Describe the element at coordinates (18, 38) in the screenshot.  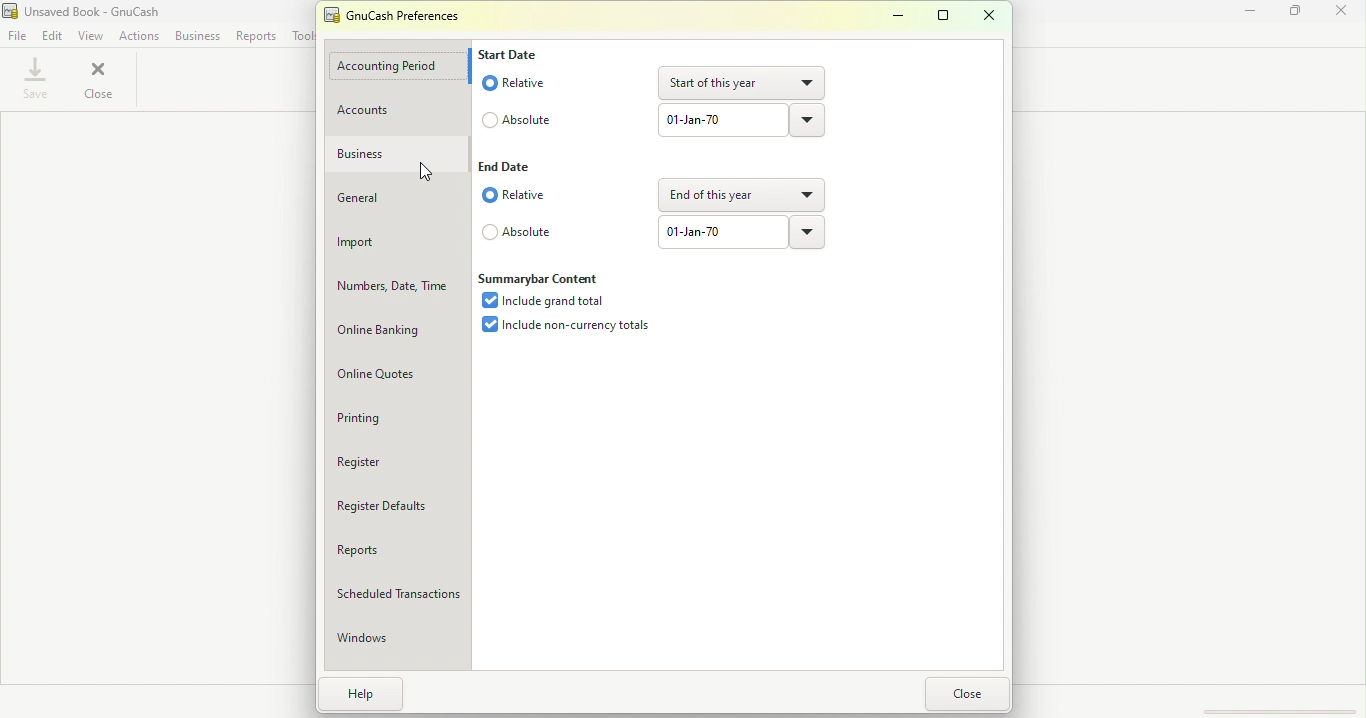
I see `File` at that location.